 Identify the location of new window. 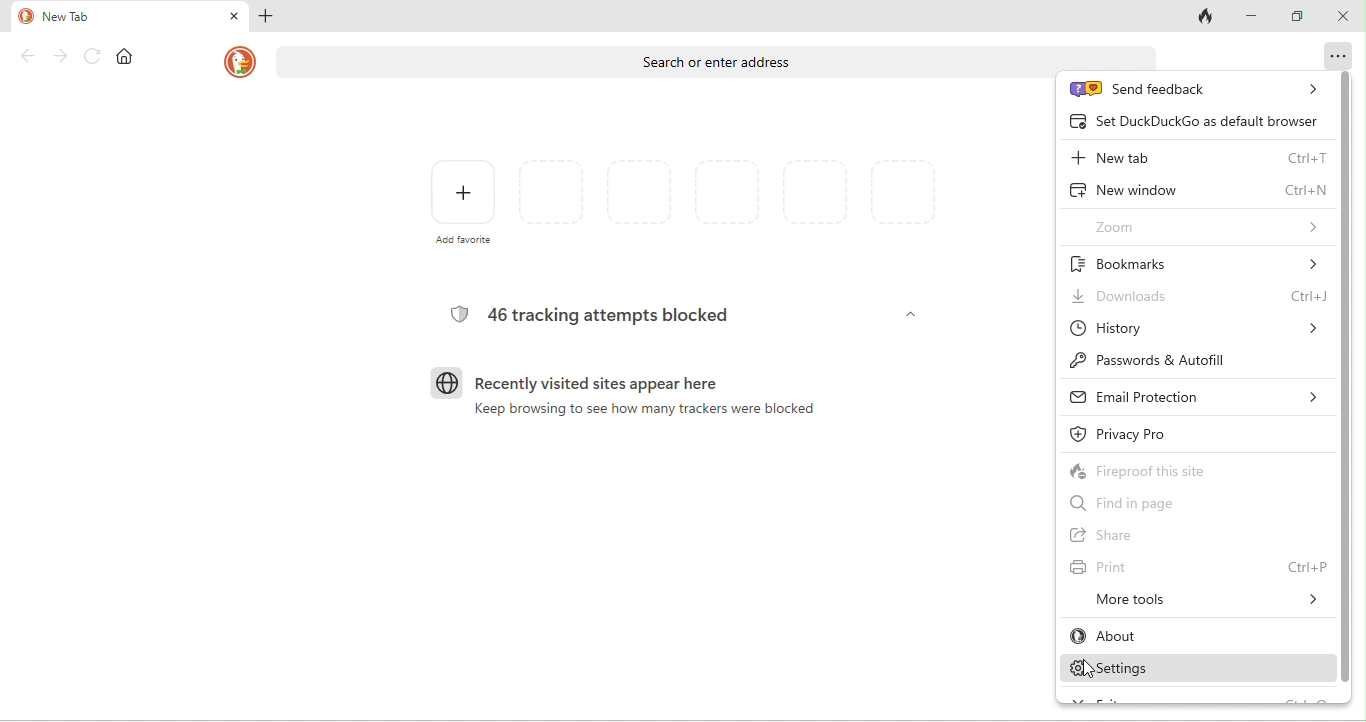
(1197, 192).